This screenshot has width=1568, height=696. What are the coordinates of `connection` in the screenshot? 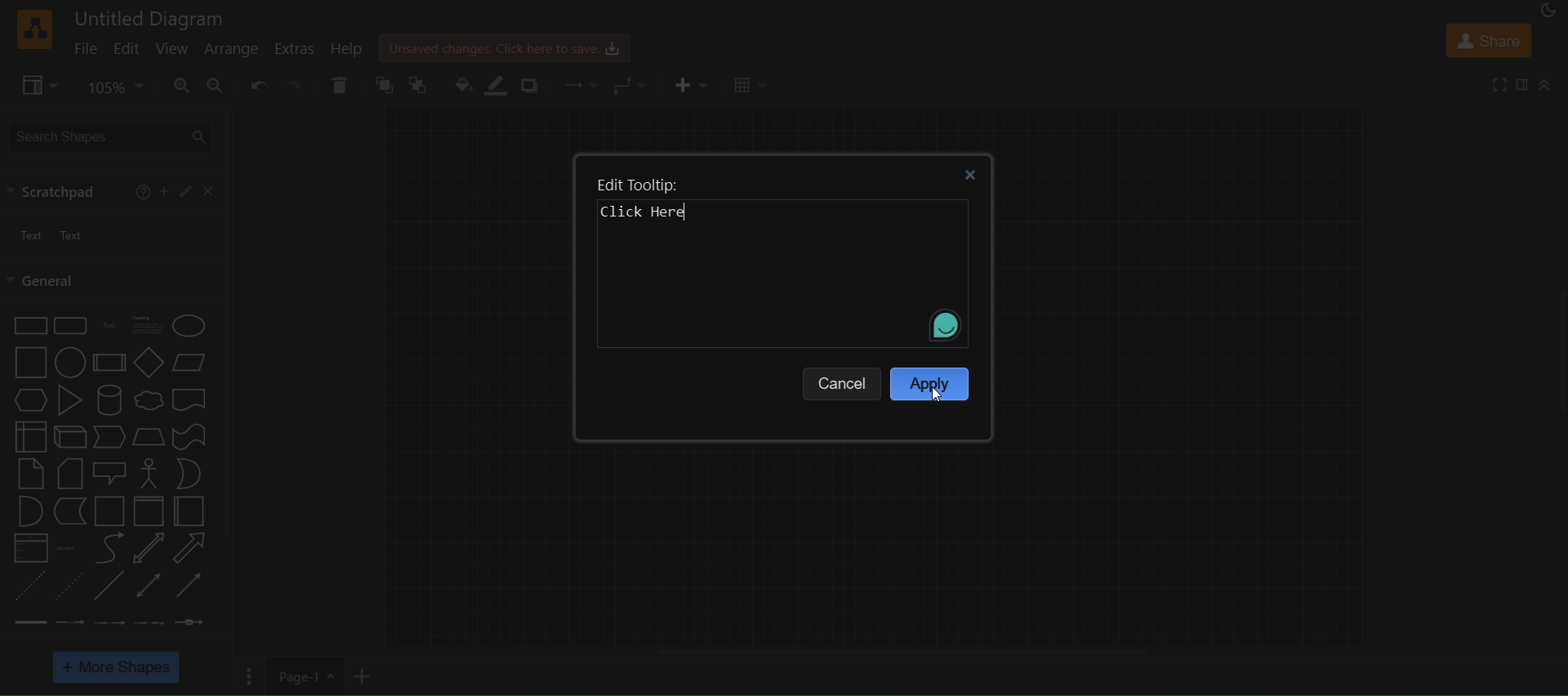 It's located at (581, 85).